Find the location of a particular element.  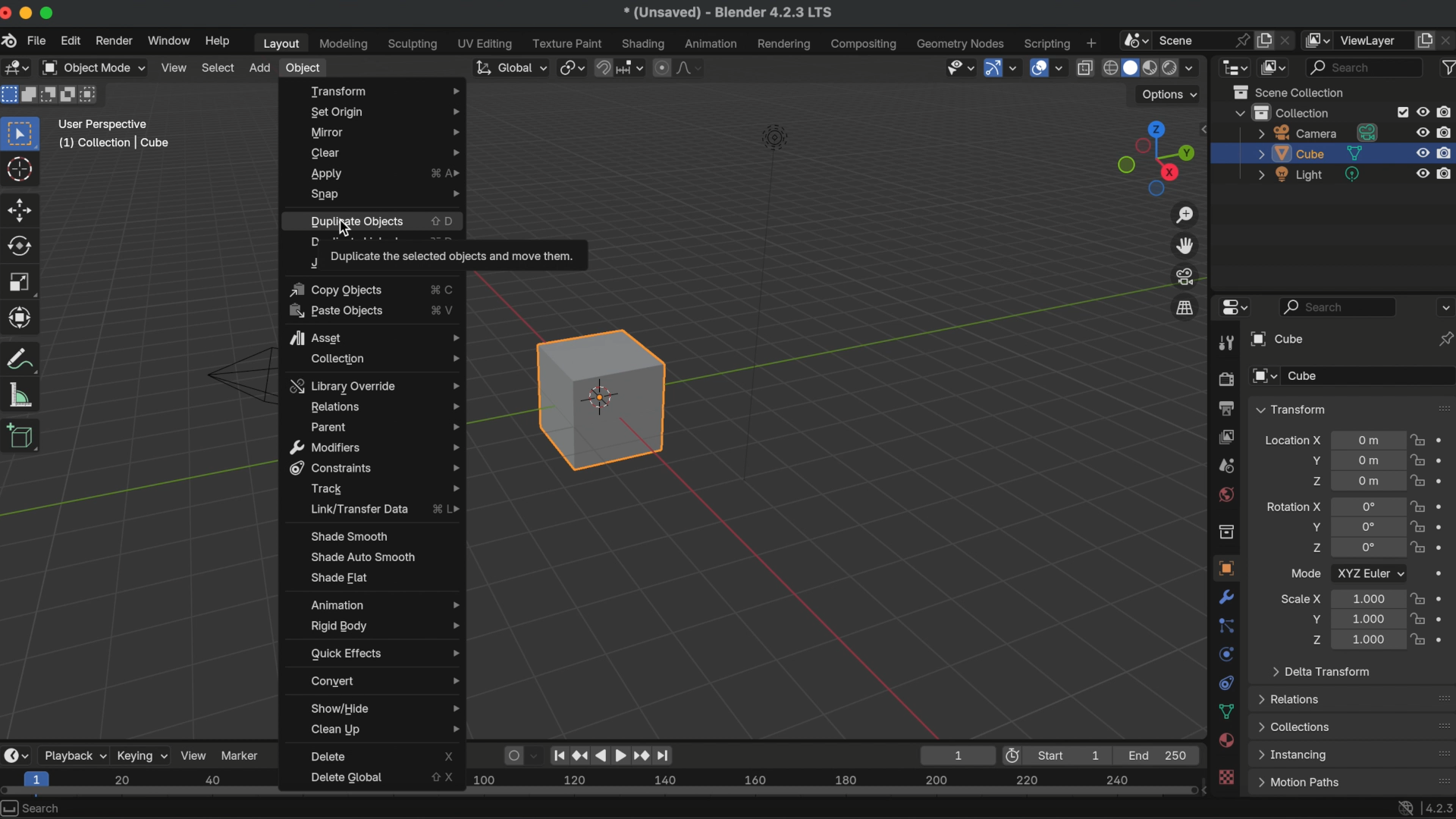

mirror menu is located at coordinates (381, 133).